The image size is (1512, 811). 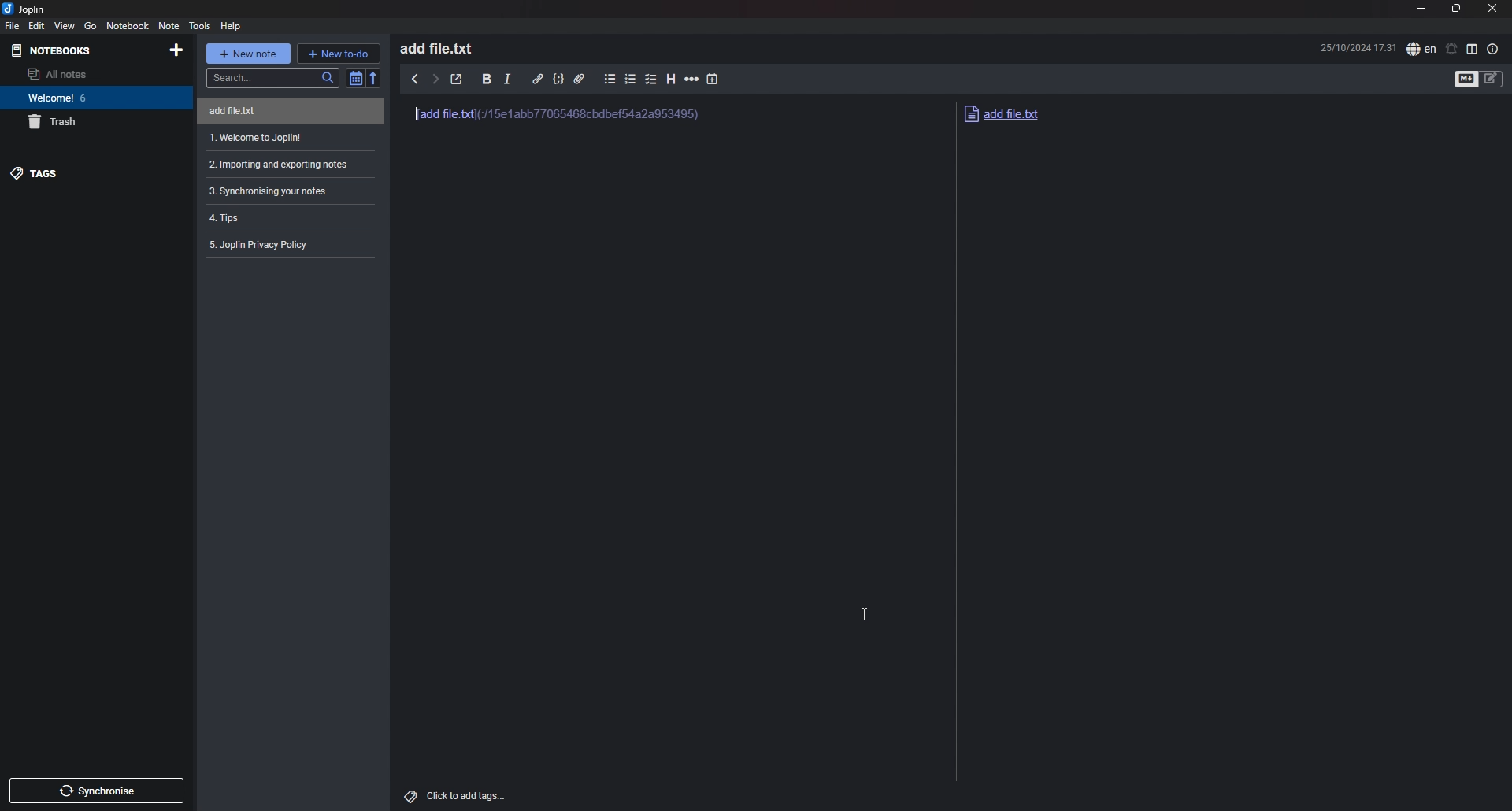 What do you see at coordinates (1029, 113) in the screenshot?
I see `add.file.txt` at bounding box center [1029, 113].